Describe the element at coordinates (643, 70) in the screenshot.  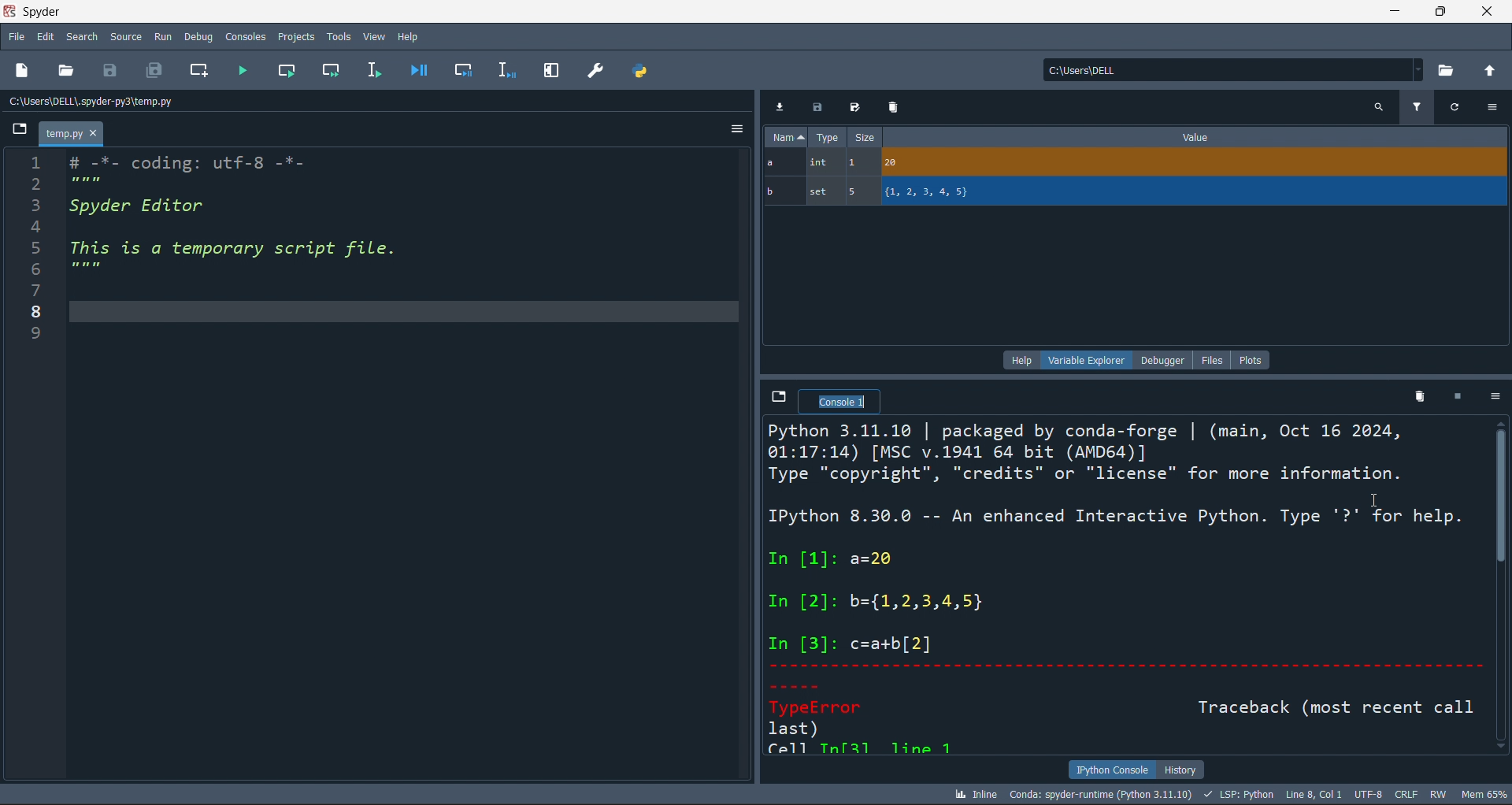
I see `python path manager` at that location.